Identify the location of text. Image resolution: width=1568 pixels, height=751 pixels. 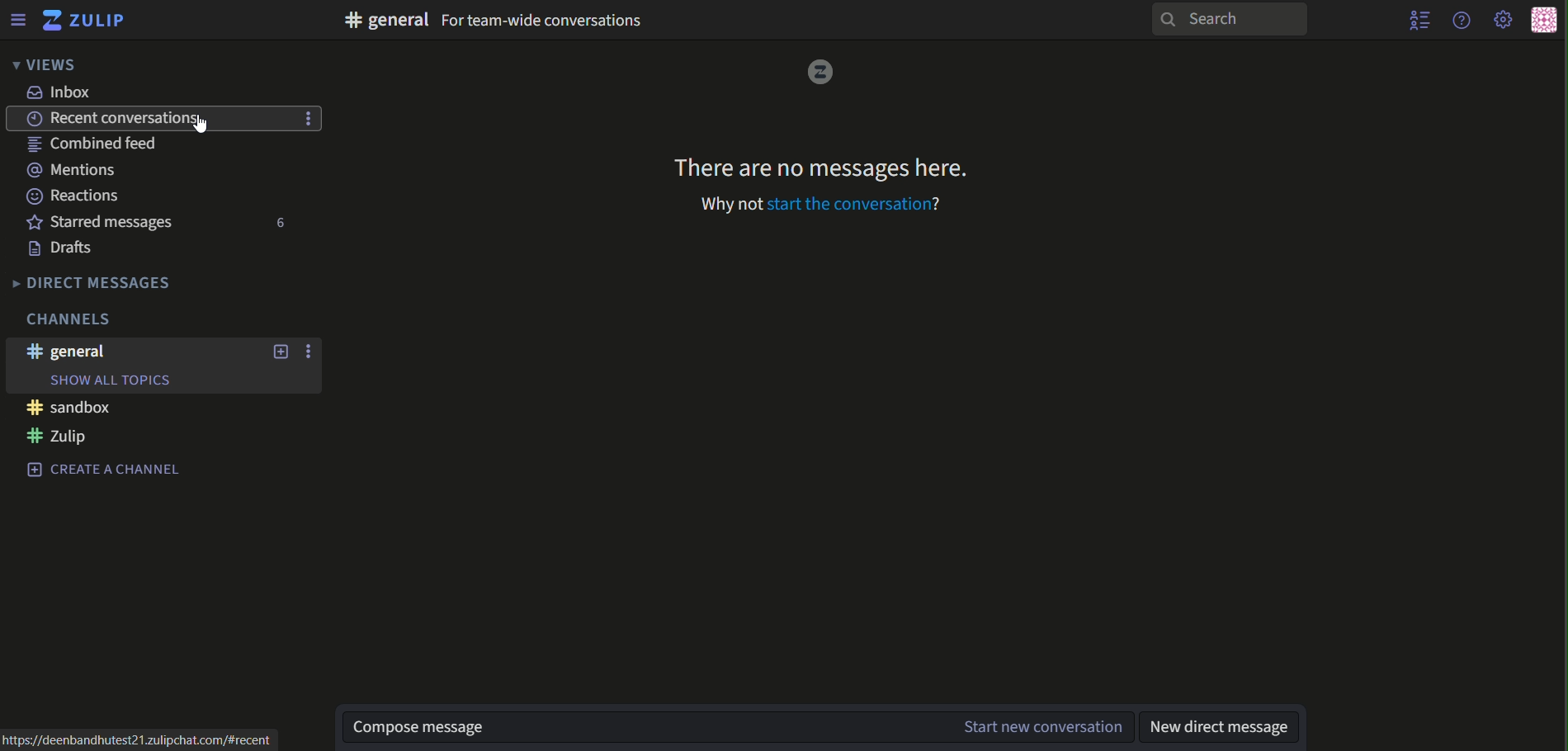
(63, 93).